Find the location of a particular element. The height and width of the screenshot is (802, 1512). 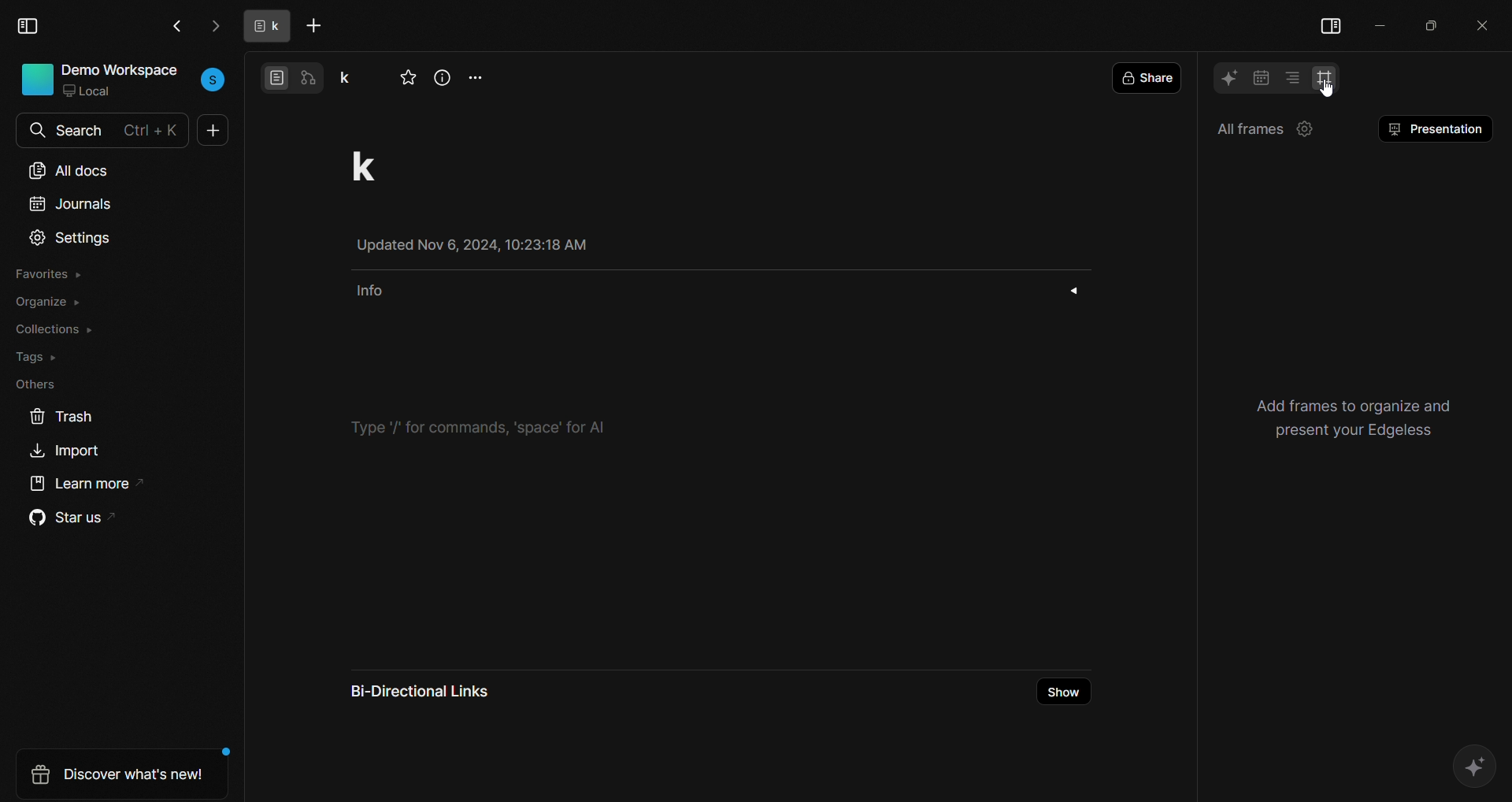

close is located at coordinates (1483, 23).